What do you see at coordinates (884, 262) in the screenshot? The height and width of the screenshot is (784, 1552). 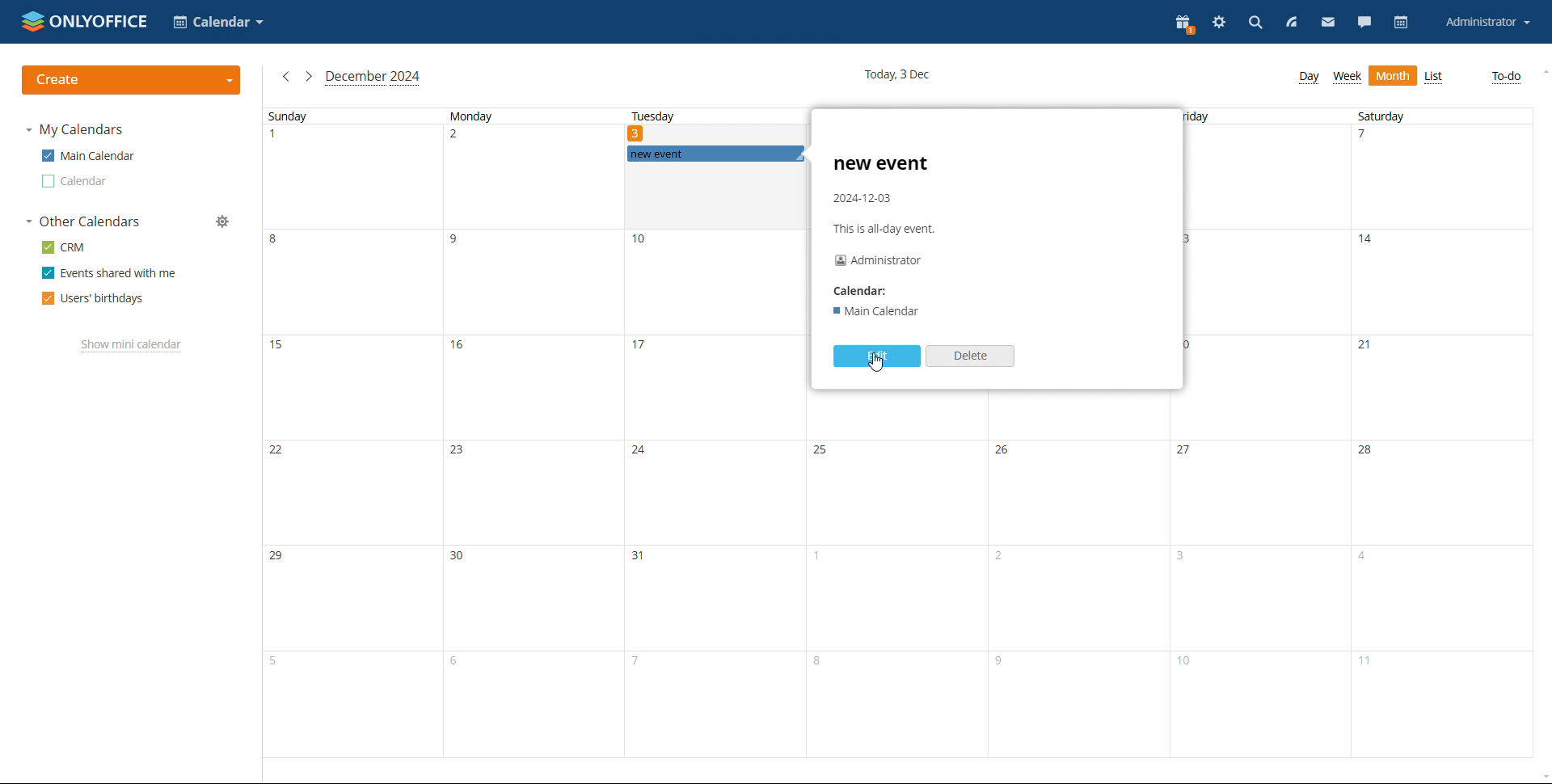 I see `admin` at bounding box center [884, 262].